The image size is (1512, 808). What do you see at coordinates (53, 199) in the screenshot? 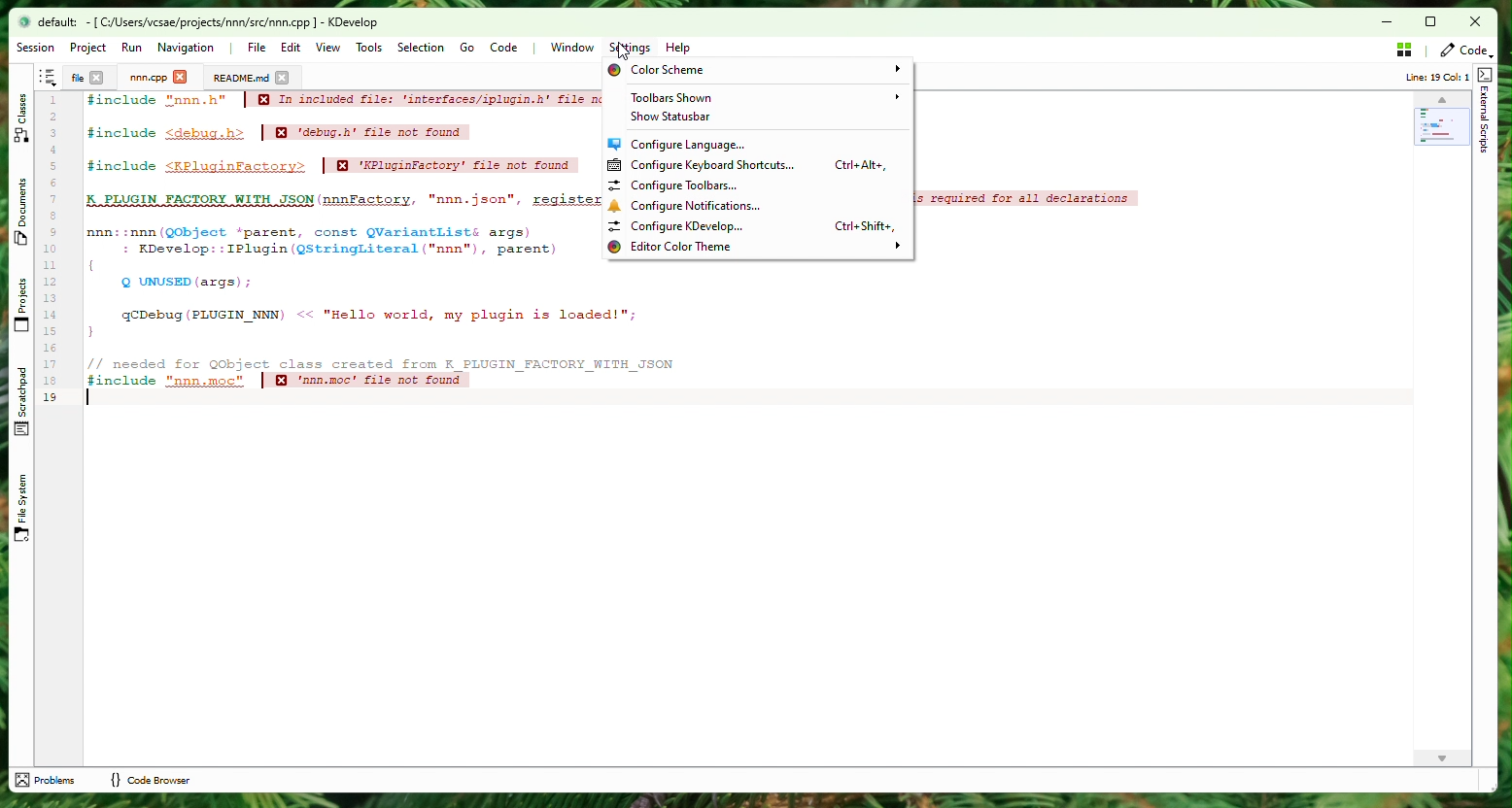
I see `7` at bounding box center [53, 199].